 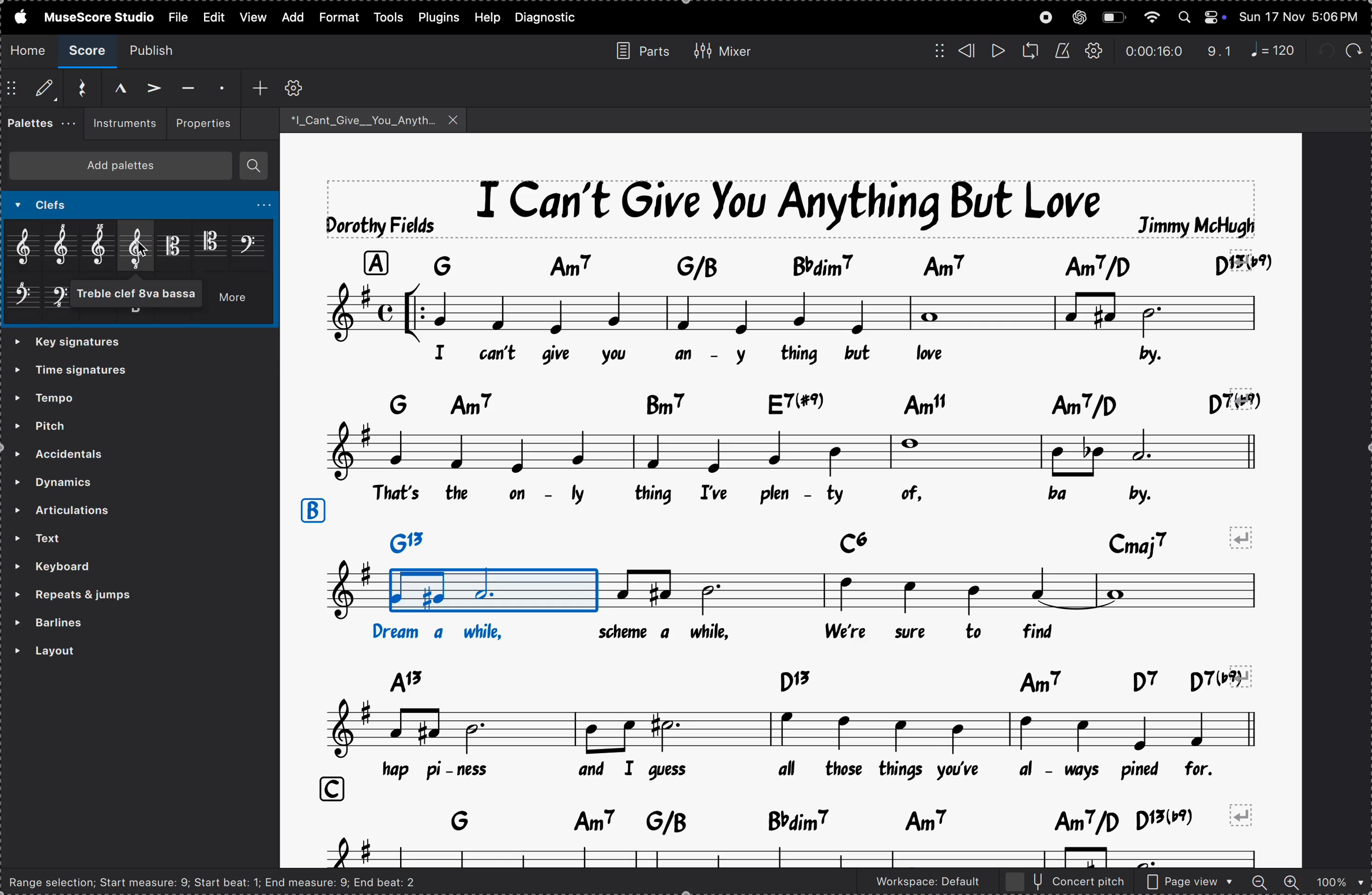 I want to click on parts, so click(x=638, y=50).